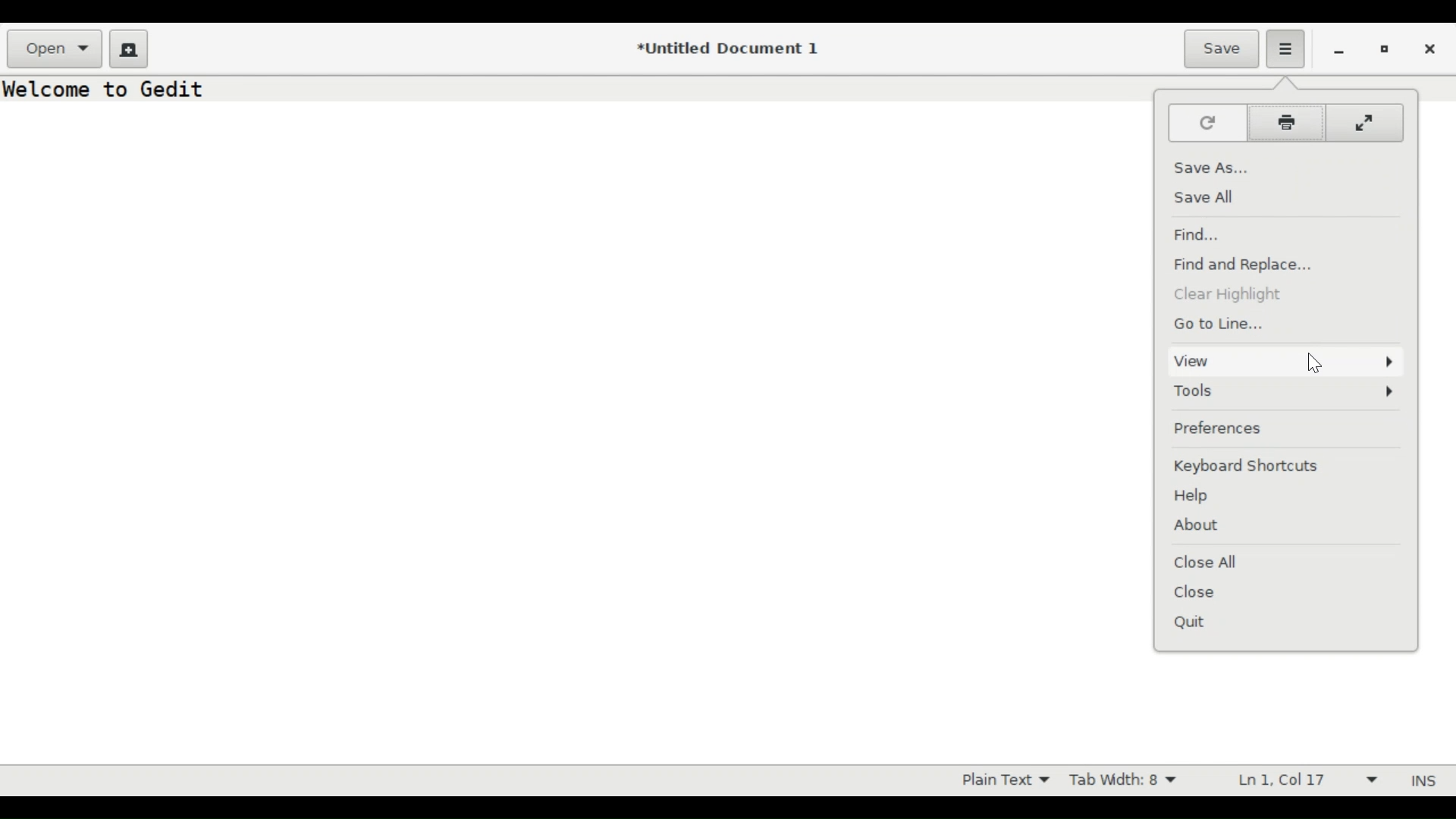 The height and width of the screenshot is (819, 1456). Describe the element at coordinates (1285, 391) in the screenshot. I see `Tools` at that location.